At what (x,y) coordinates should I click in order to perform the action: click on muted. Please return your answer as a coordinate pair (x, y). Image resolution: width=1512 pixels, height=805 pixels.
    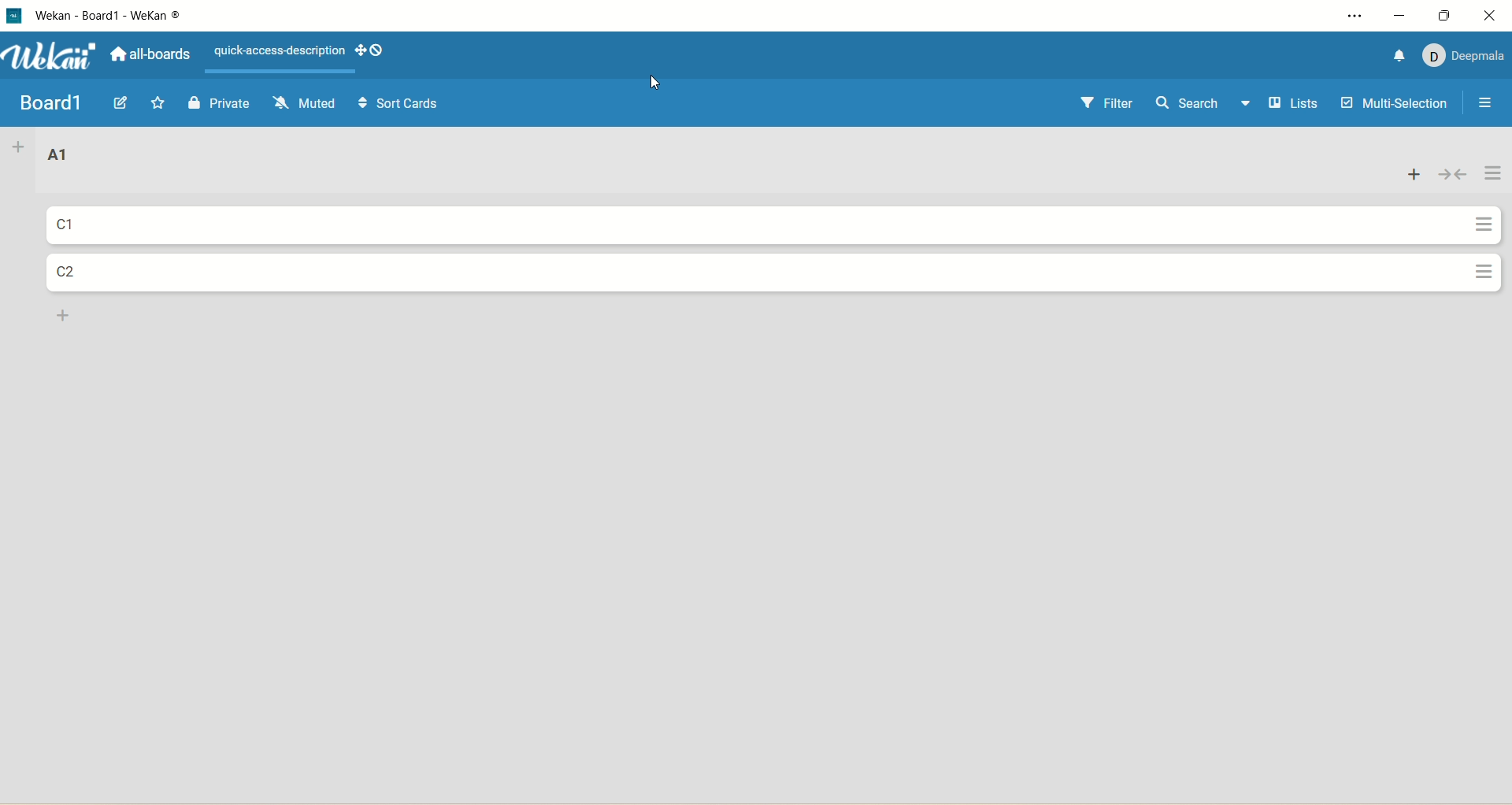
    Looking at the image, I should click on (302, 102).